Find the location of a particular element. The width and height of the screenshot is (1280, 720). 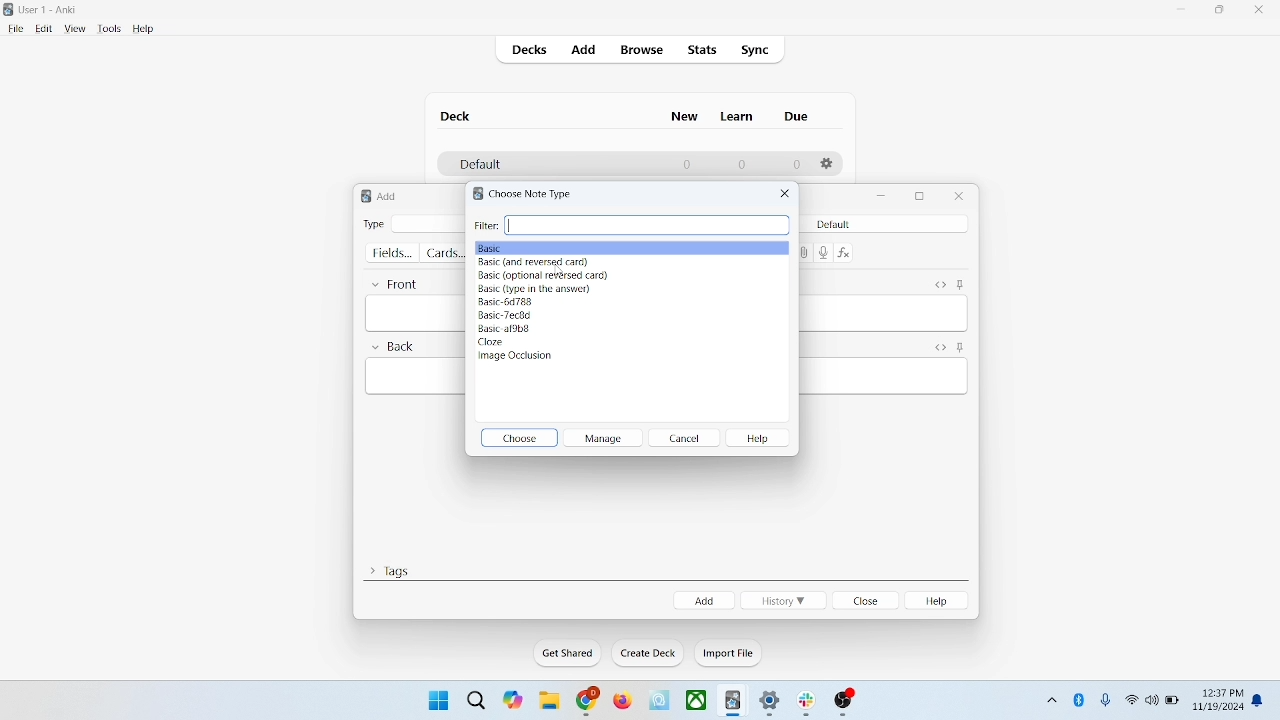

Basic (and reversed card) is located at coordinates (536, 262).